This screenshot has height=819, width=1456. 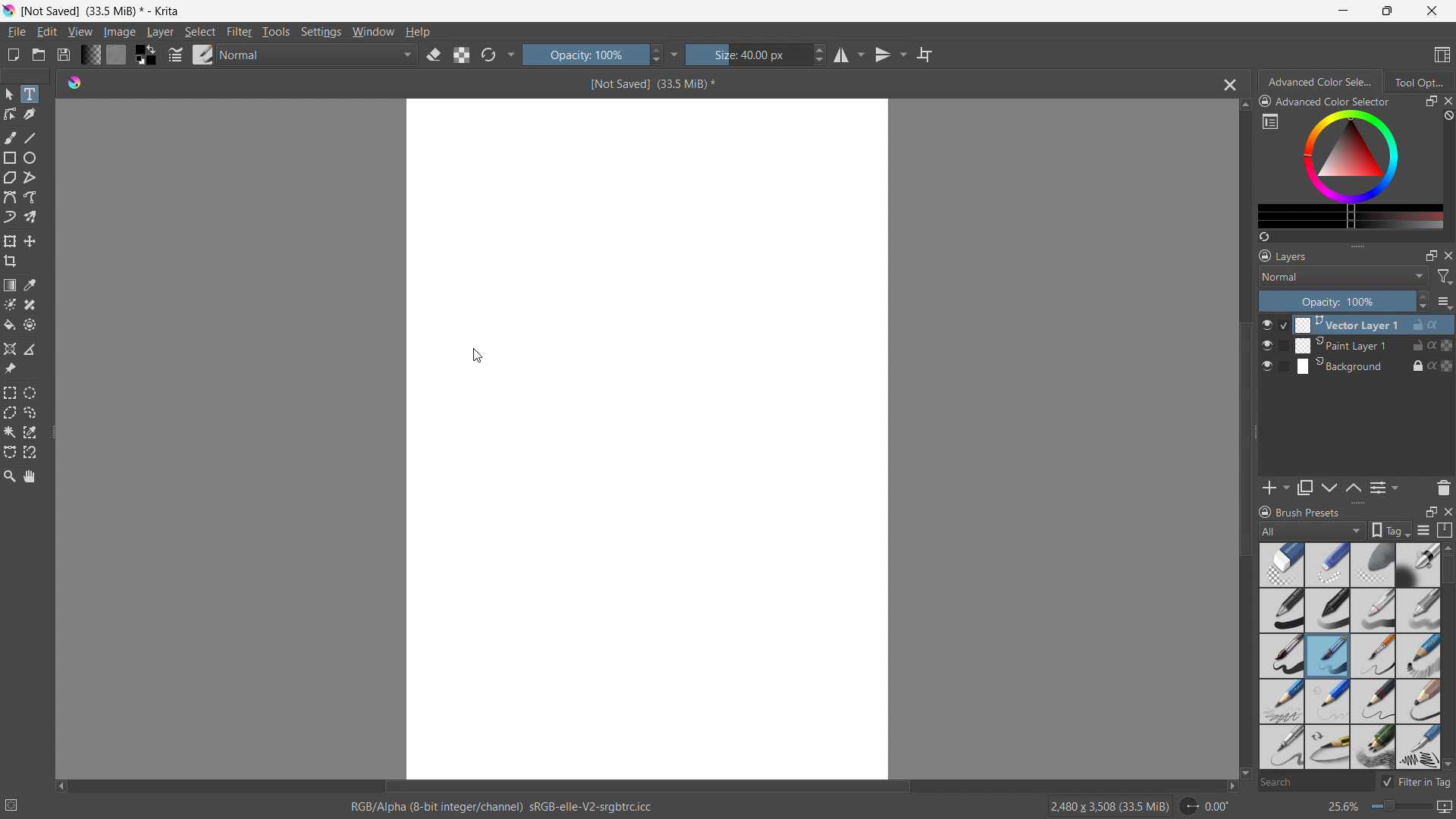 What do you see at coordinates (1244, 105) in the screenshot?
I see `scroll up` at bounding box center [1244, 105].